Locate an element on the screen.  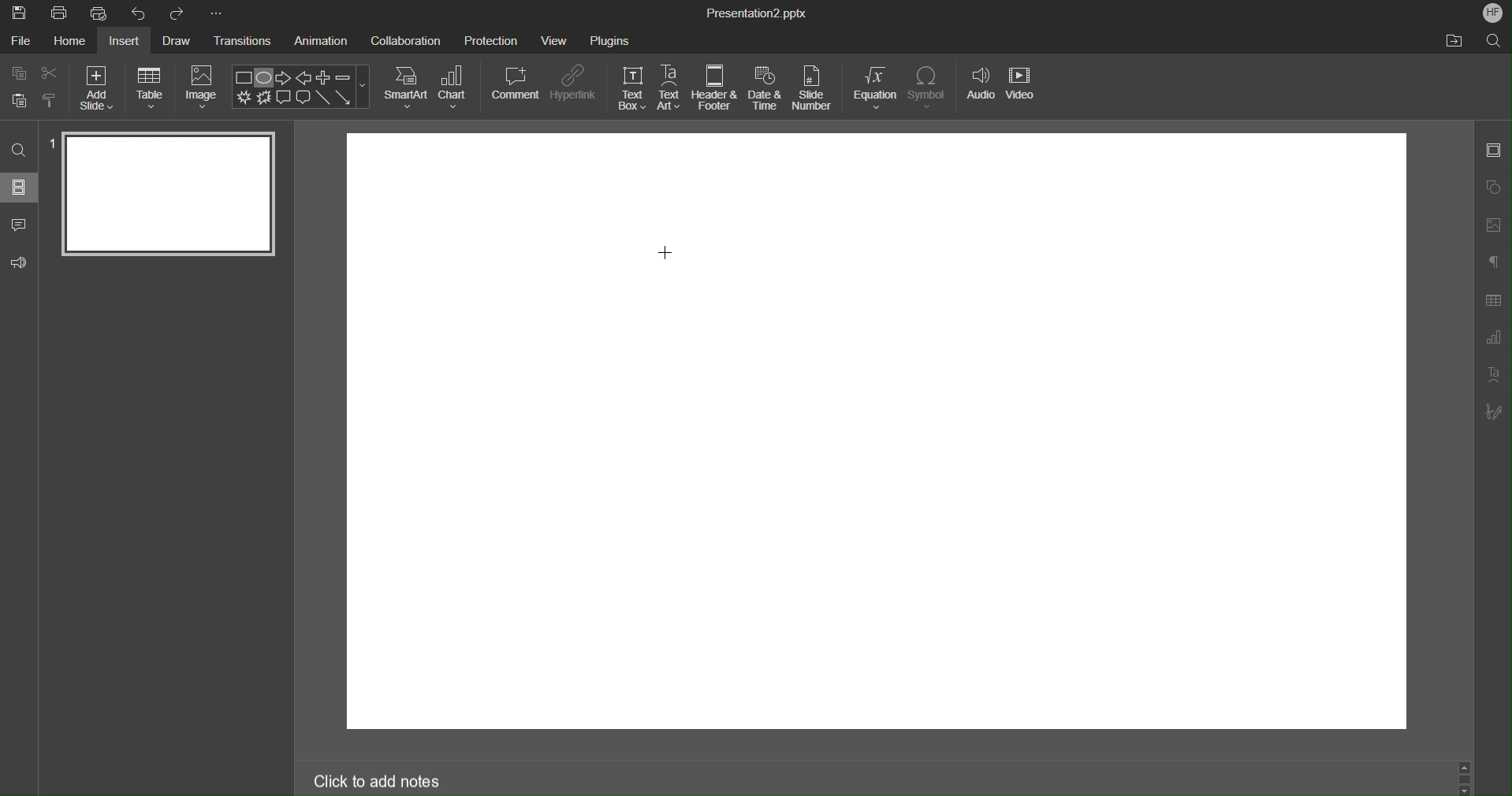
Print is located at coordinates (59, 14).